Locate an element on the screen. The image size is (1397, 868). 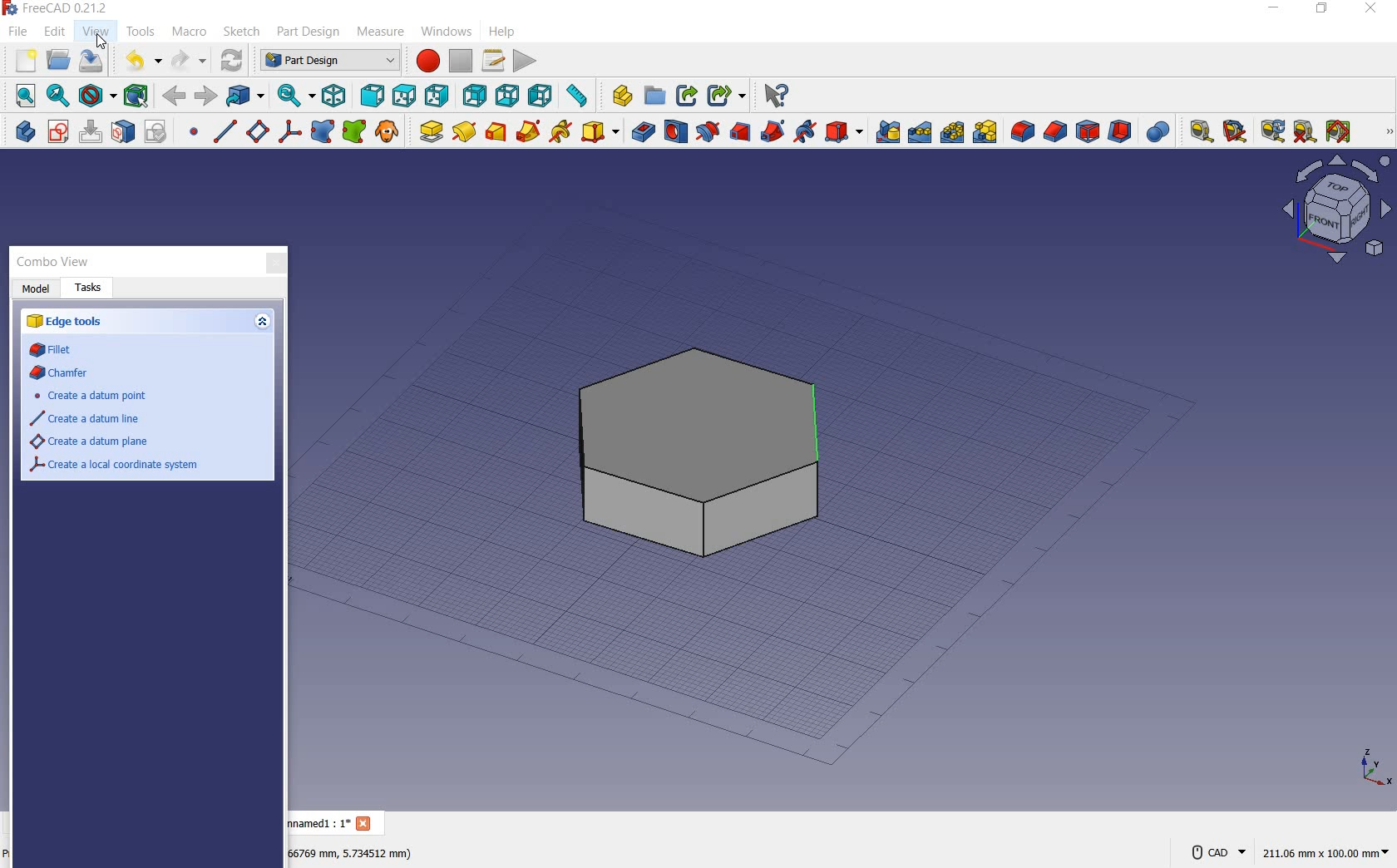
create a datum point is located at coordinates (195, 135).